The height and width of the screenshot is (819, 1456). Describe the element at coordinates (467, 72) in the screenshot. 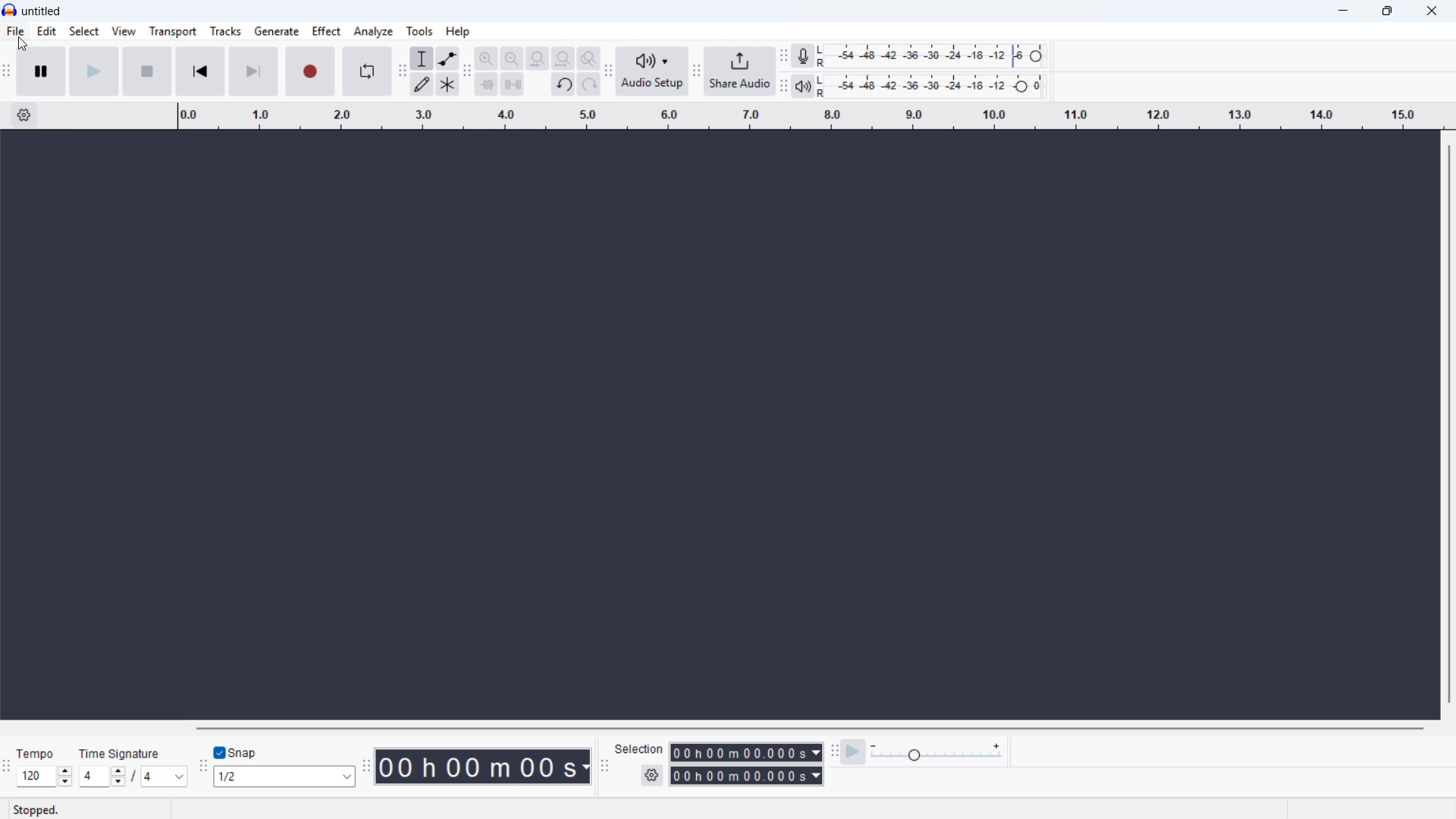

I see `Edit toolbar ` at that location.